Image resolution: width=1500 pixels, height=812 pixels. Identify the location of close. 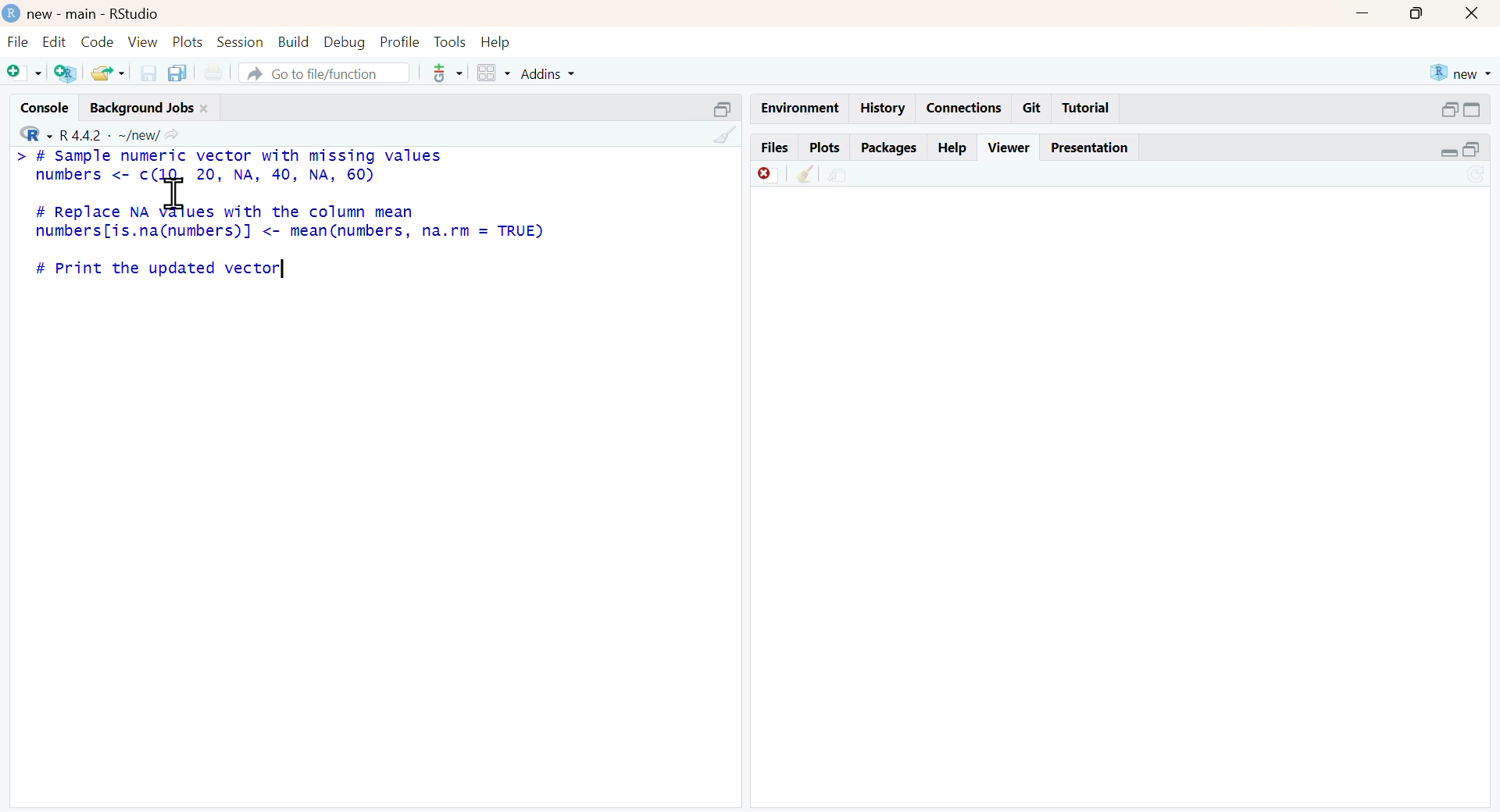
(1473, 14).